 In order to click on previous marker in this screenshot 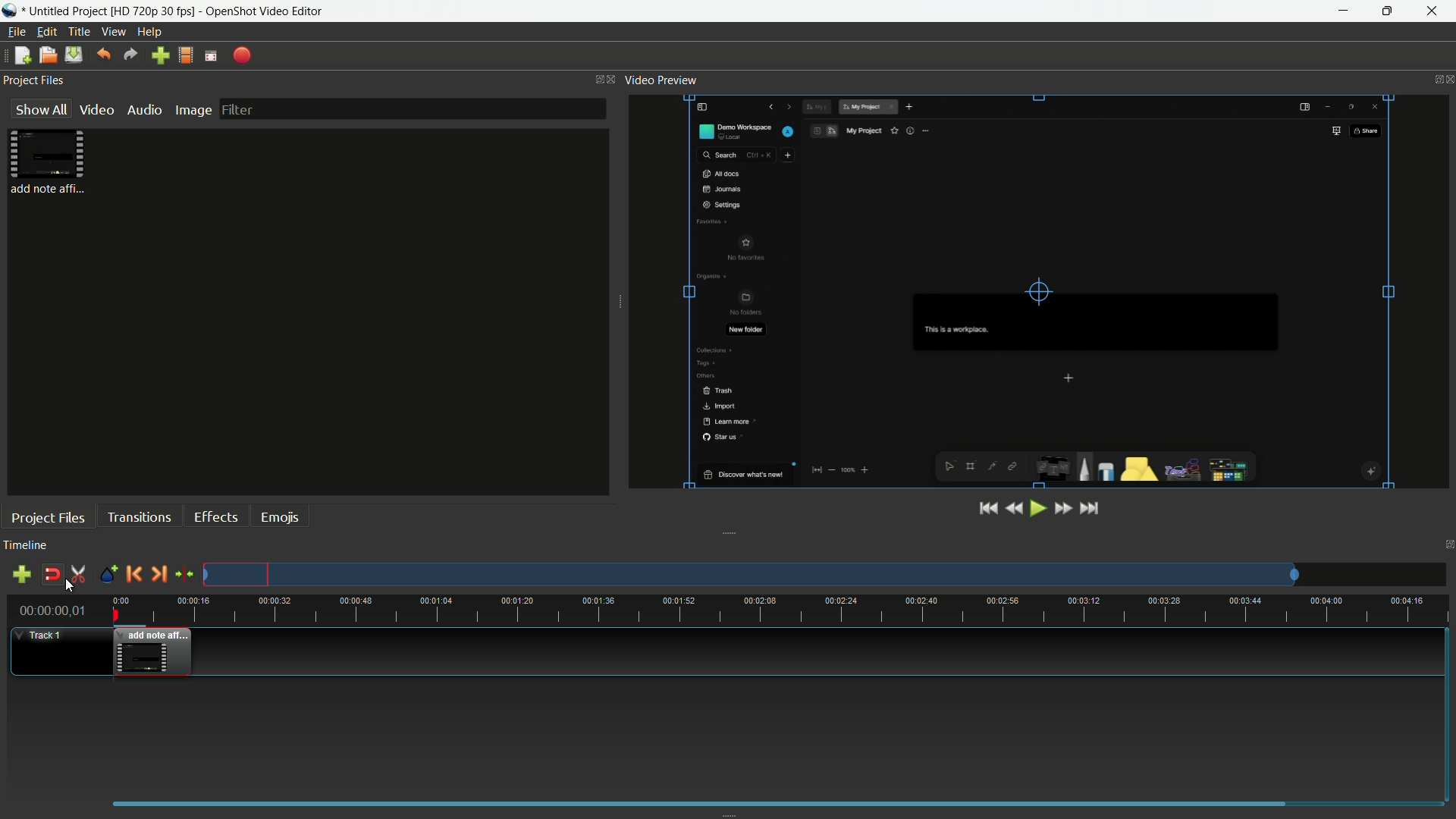, I will do `click(133, 573)`.